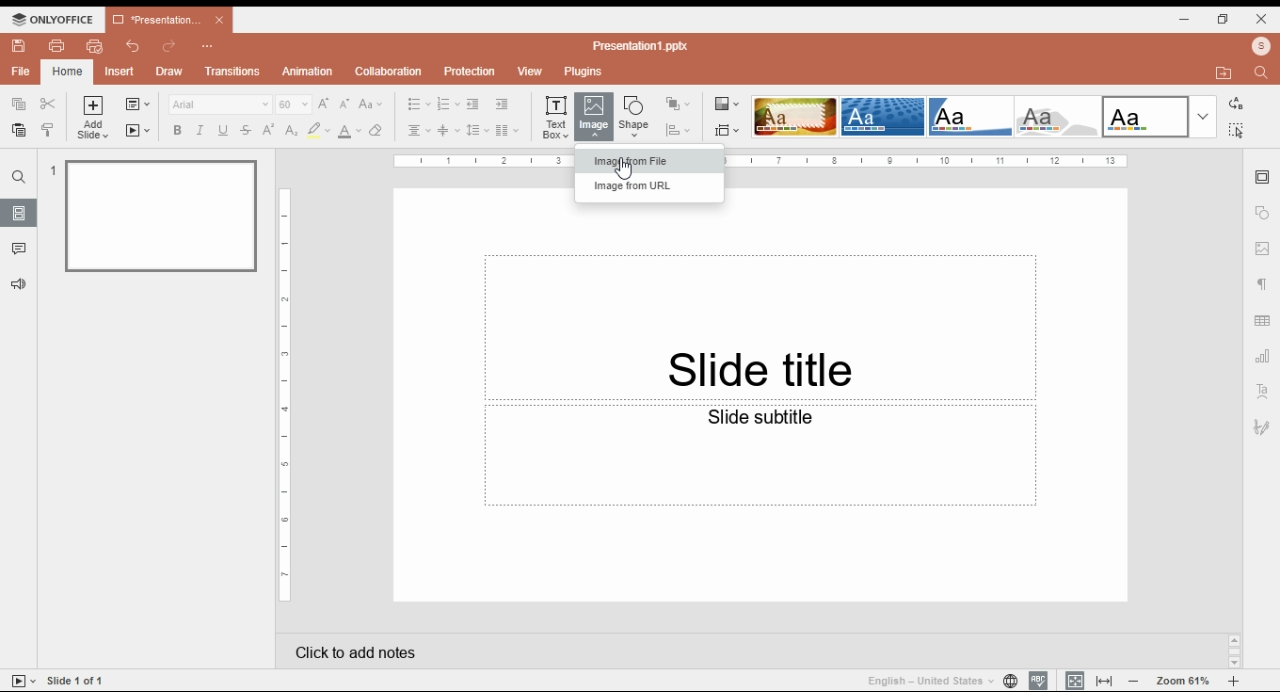  What do you see at coordinates (1261, 48) in the screenshot?
I see `profile` at bounding box center [1261, 48].